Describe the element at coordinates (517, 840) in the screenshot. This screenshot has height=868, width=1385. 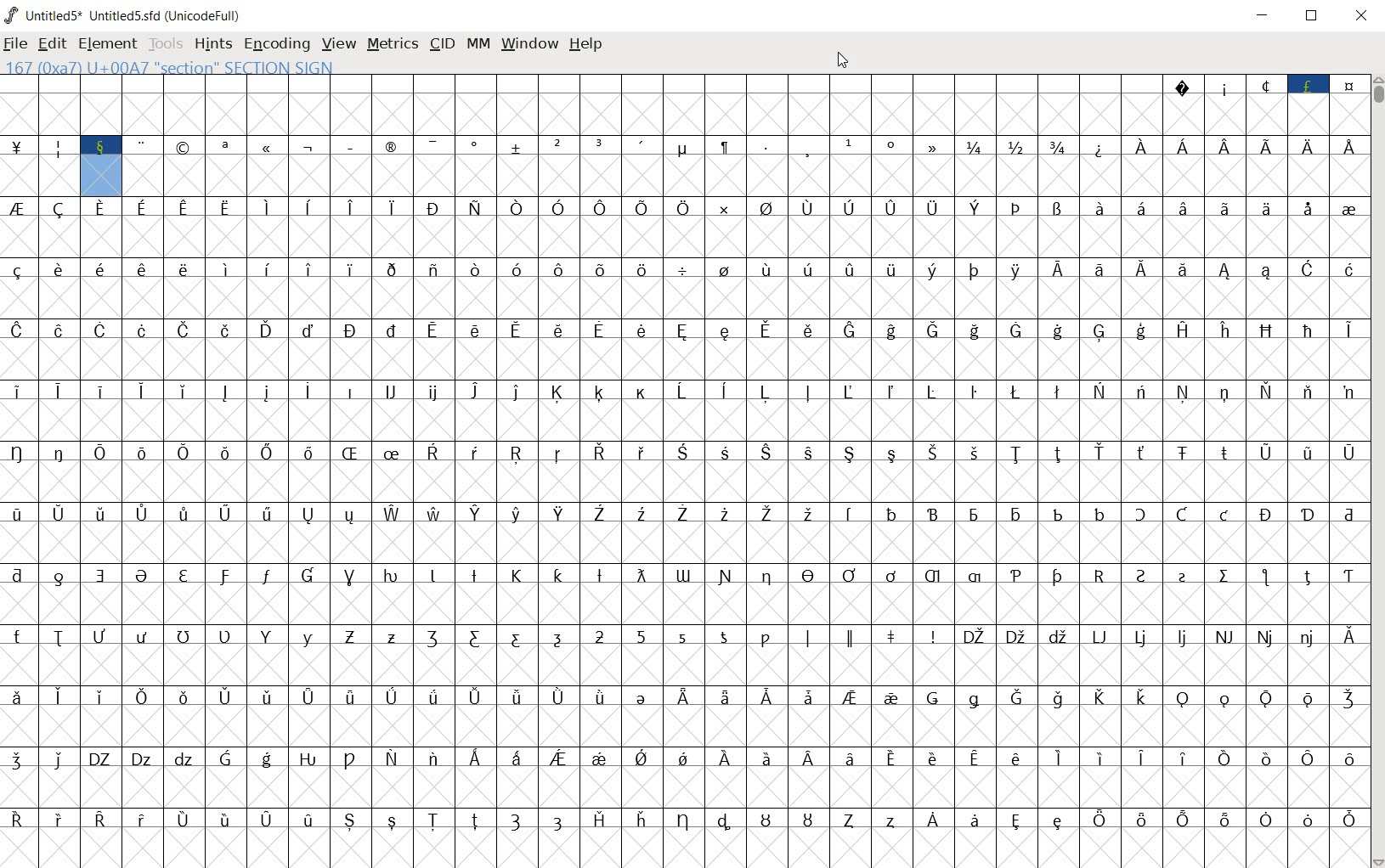
I see `special alphabets` at that location.